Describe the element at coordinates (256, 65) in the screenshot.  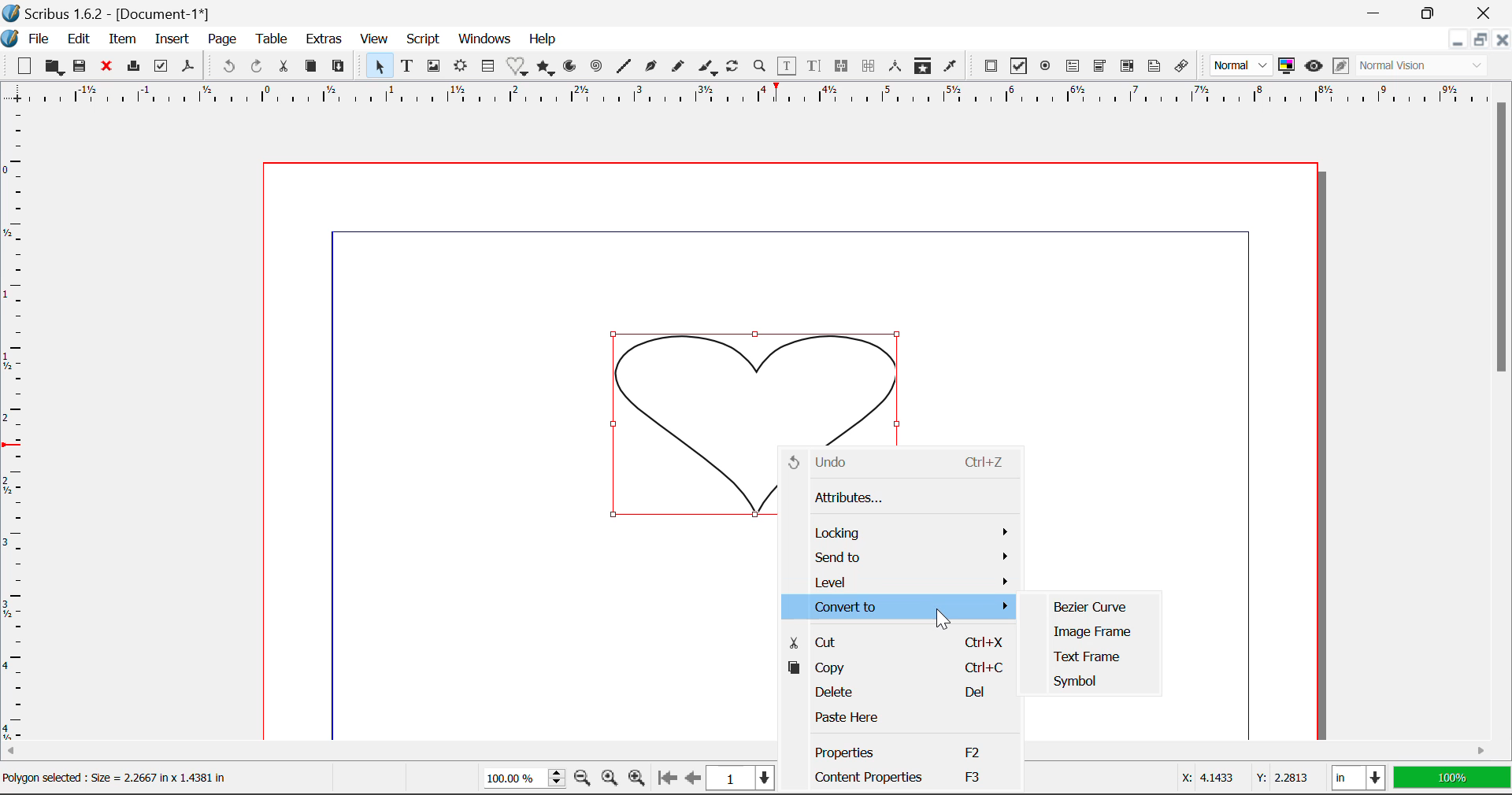
I see `Redo` at that location.